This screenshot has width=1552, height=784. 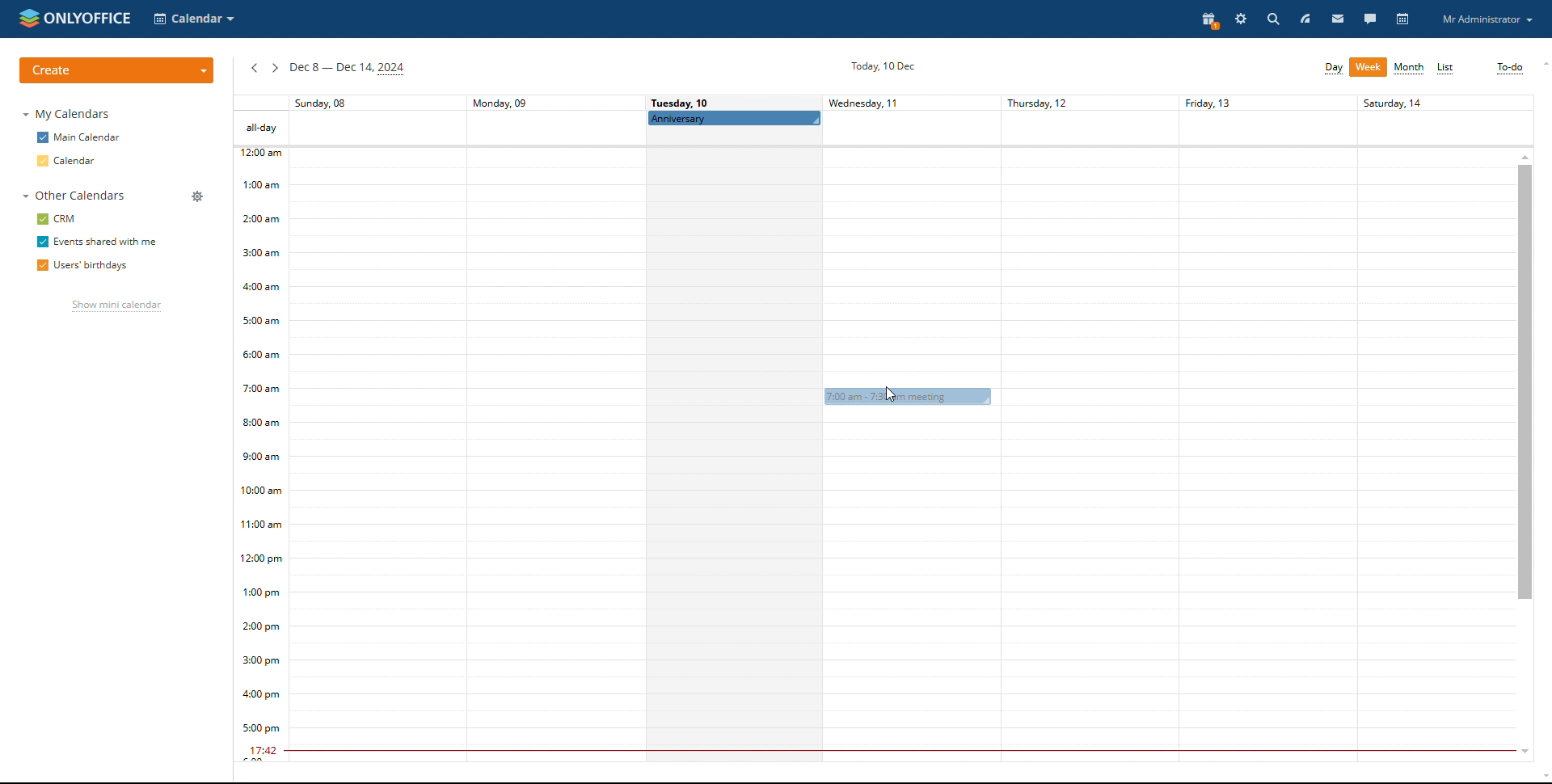 What do you see at coordinates (880, 65) in the screenshot?
I see `Today 10 dec` at bounding box center [880, 65].